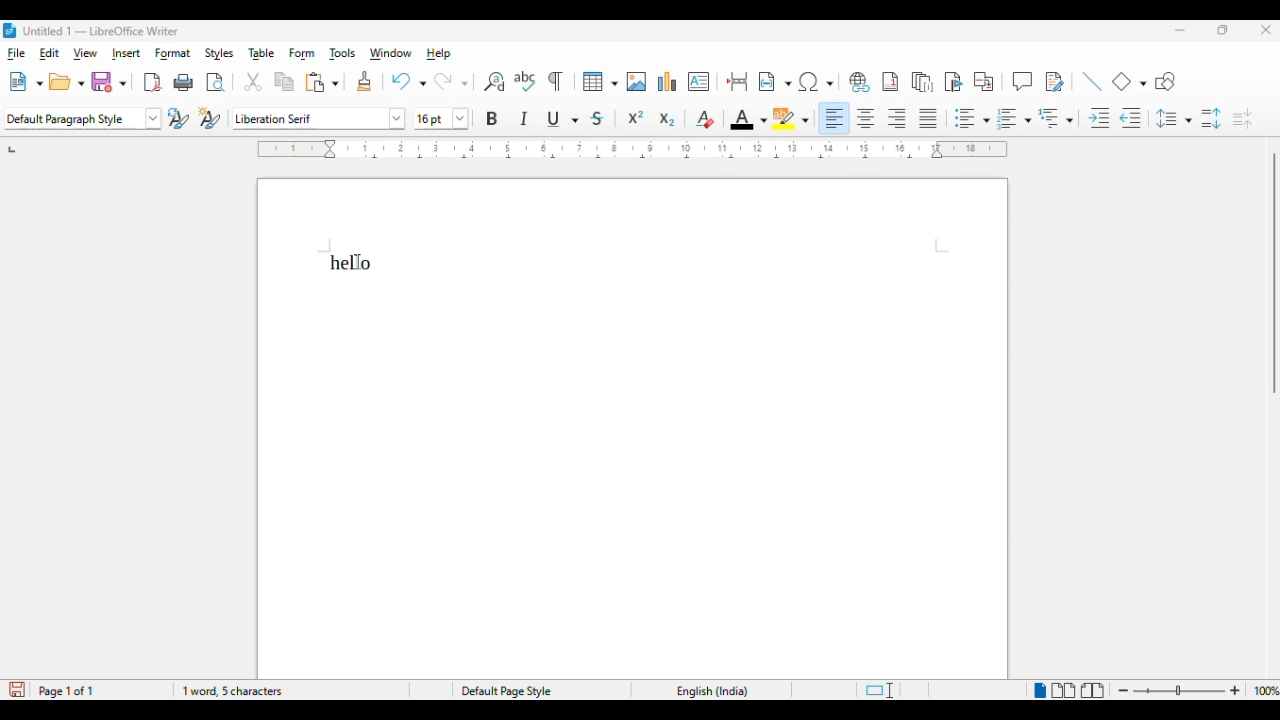 The image size is (1280, 720). I want to click on increase paragraph spacing, so click(1211, 119).